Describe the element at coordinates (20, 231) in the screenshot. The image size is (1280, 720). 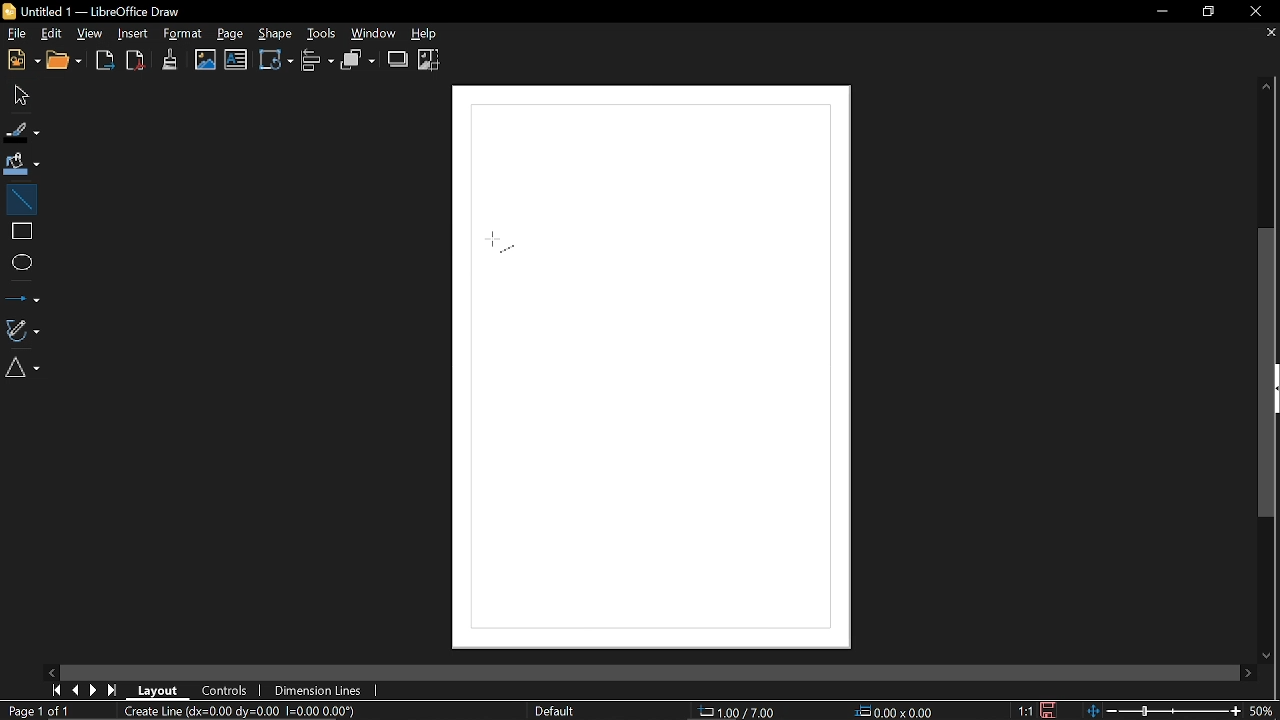
I see `rectangle` at that location.